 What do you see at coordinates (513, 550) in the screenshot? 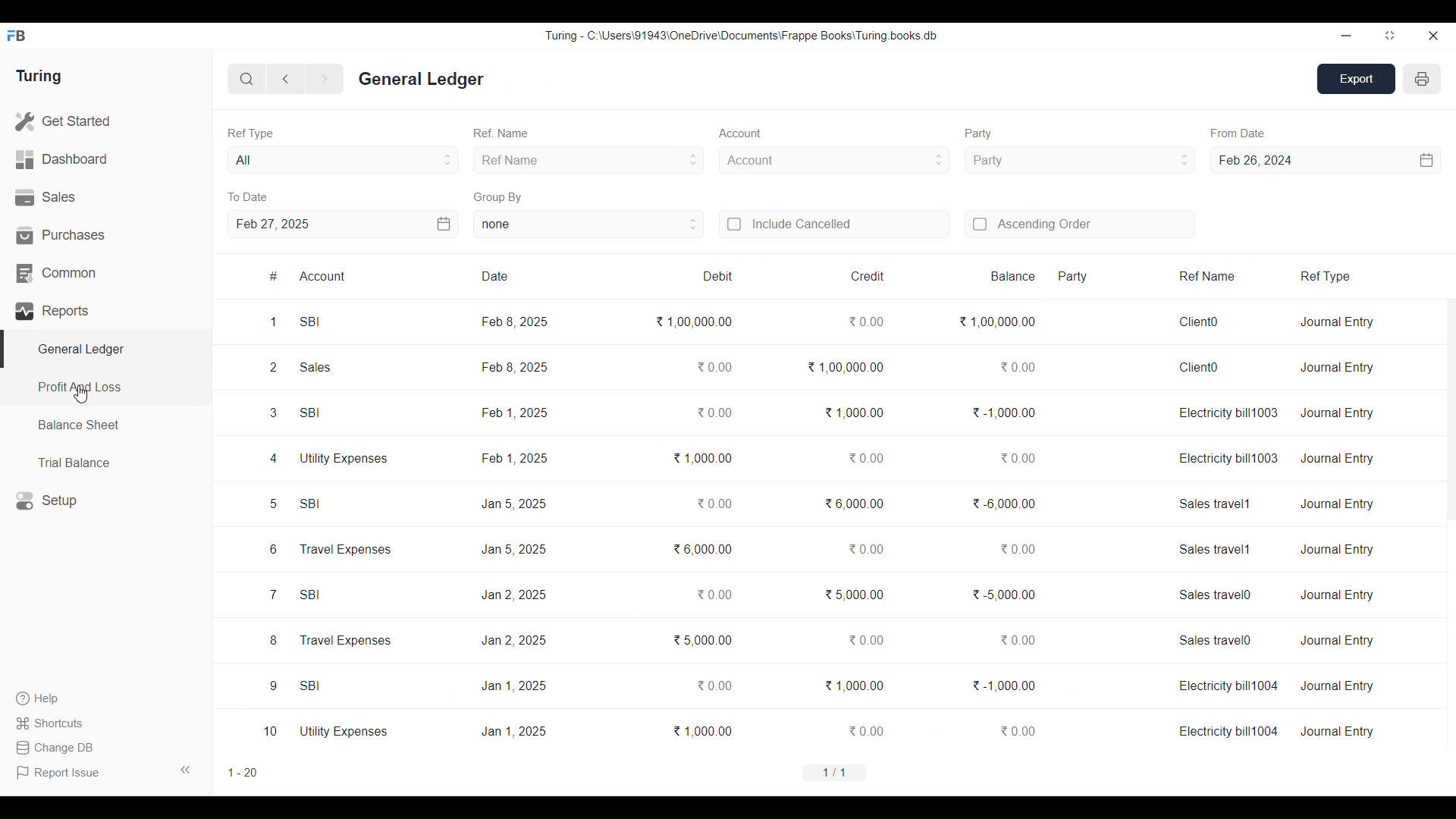
I see `Jan 5, 2025` at bounding box center [513, 550].